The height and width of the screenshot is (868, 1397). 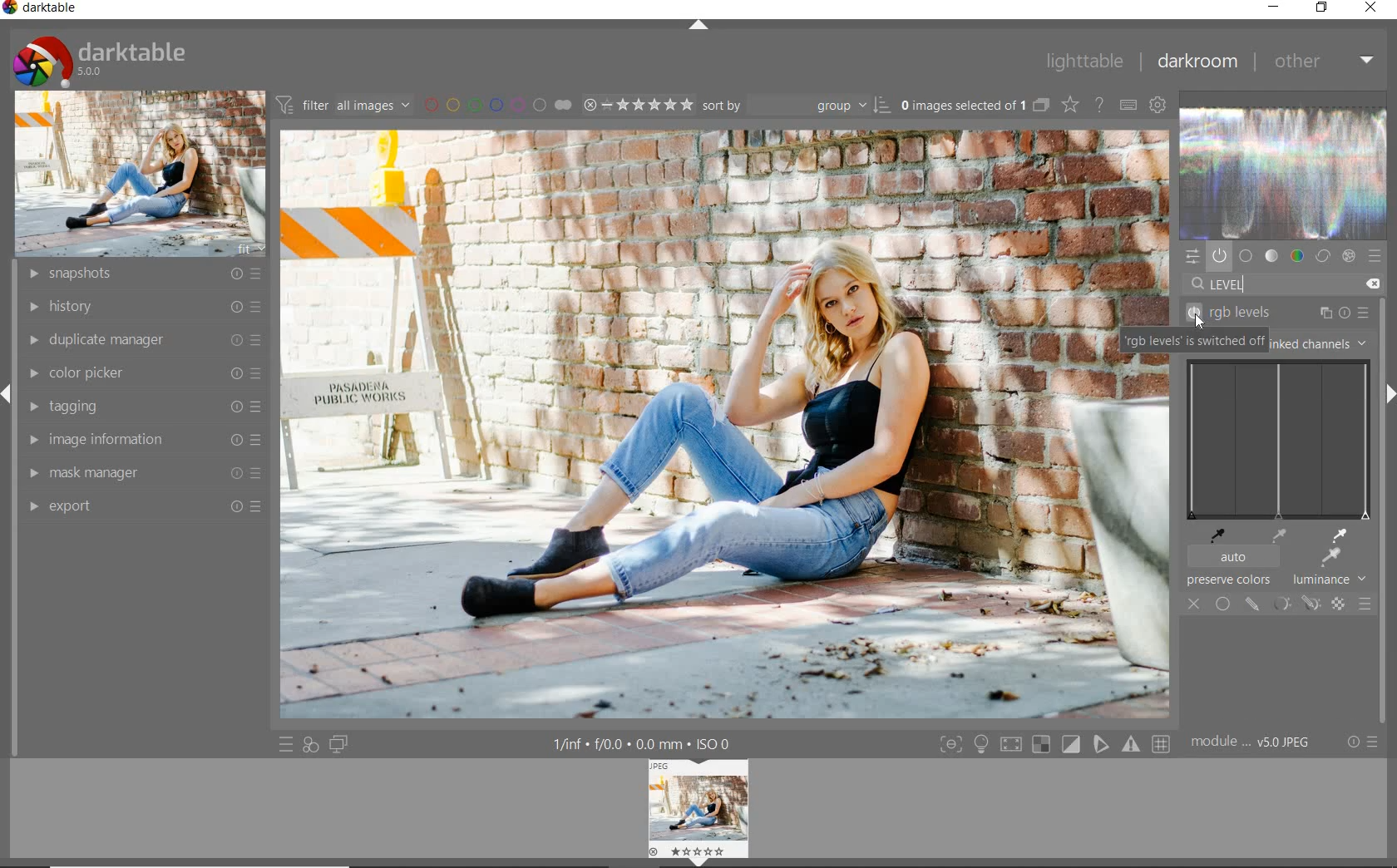 What do you see at coordinates (1274, 8) in the screenshot?
I see `minimize` at bounding box center [1274, 8].